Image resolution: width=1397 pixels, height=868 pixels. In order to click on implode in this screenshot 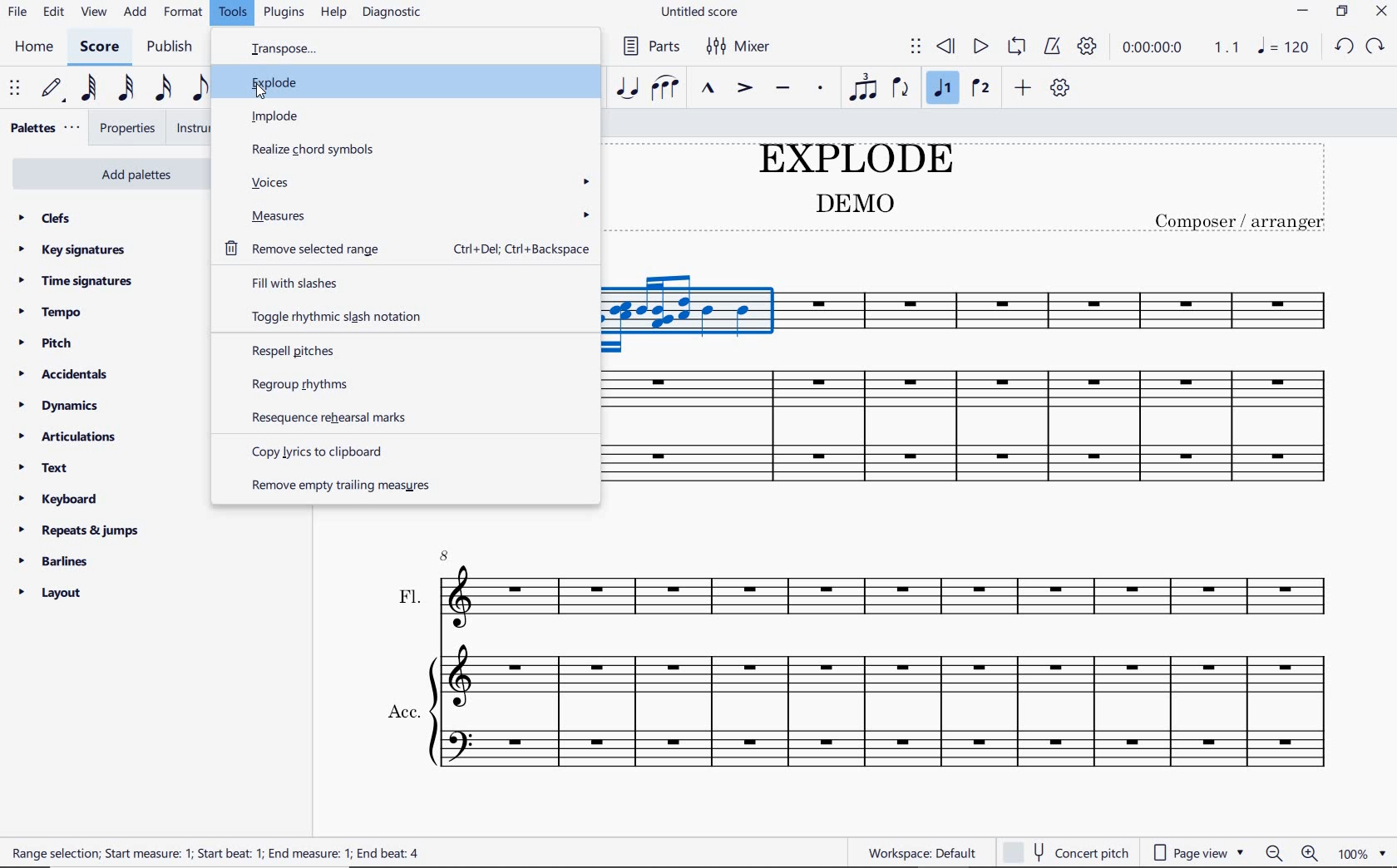, I will do `click(306, 116)`.